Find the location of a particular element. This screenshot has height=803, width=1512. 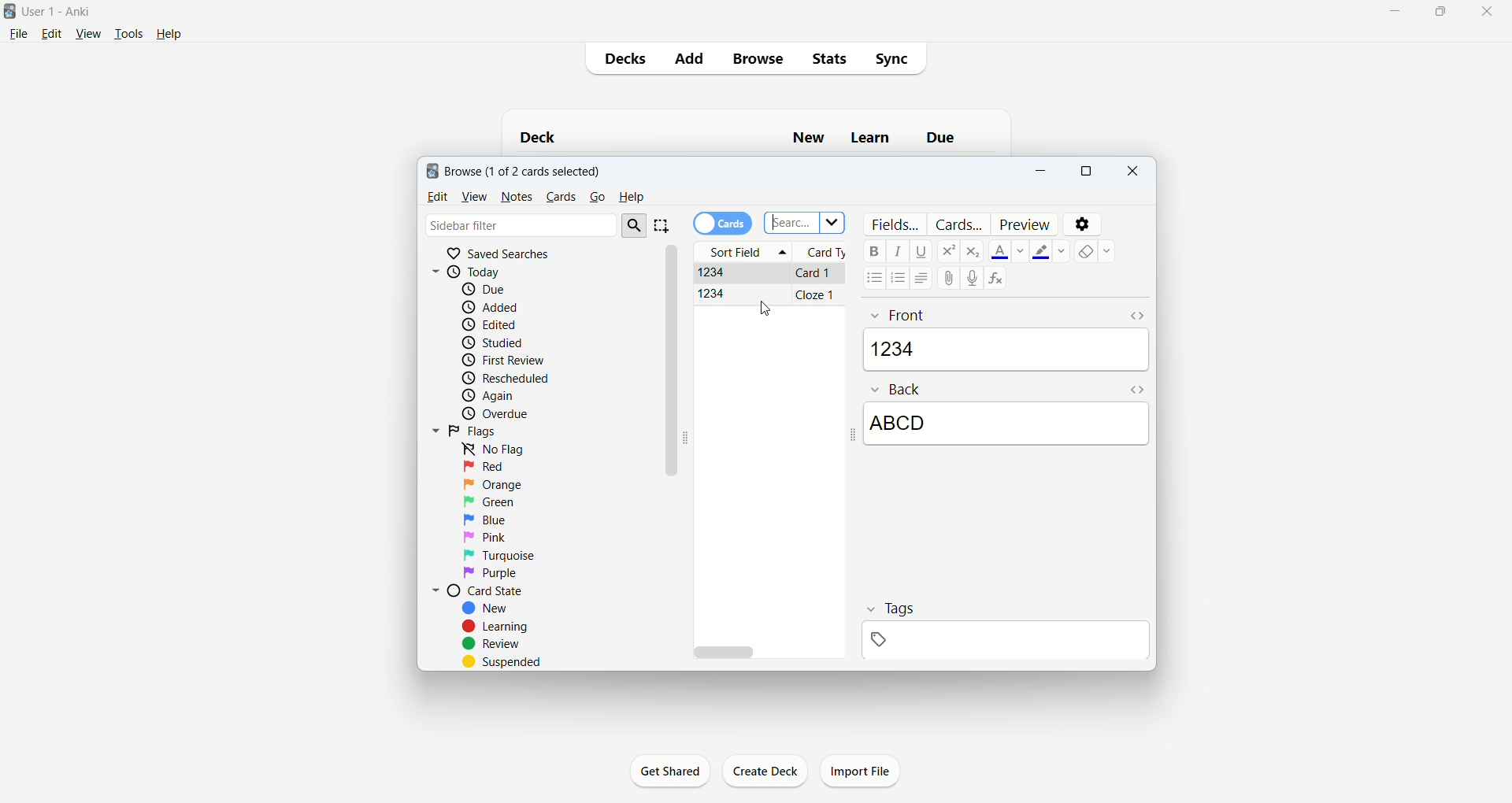

tools is located at coordinates (130, 38).